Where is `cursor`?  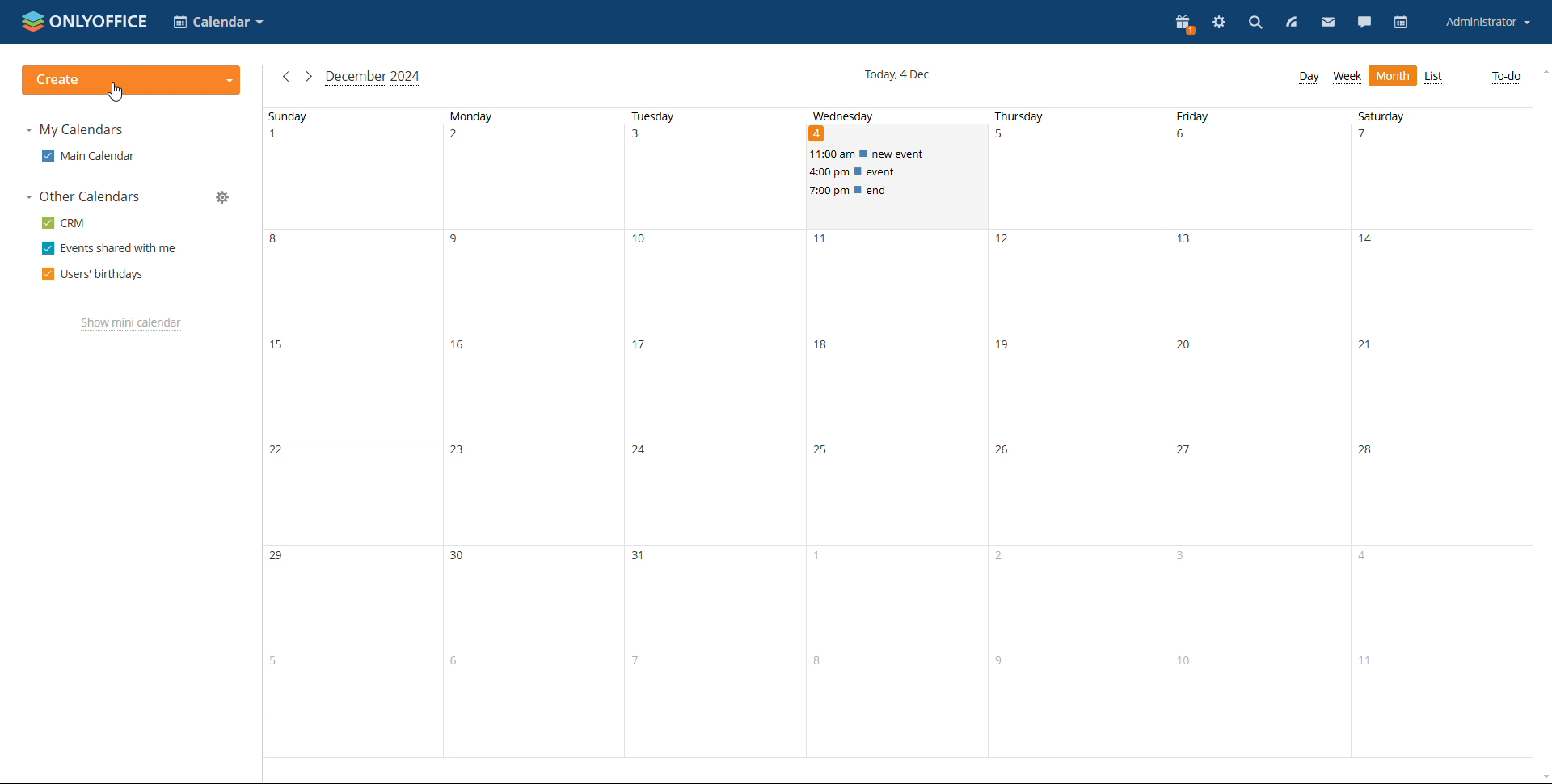
cursor is located at coordinates (116, 92).